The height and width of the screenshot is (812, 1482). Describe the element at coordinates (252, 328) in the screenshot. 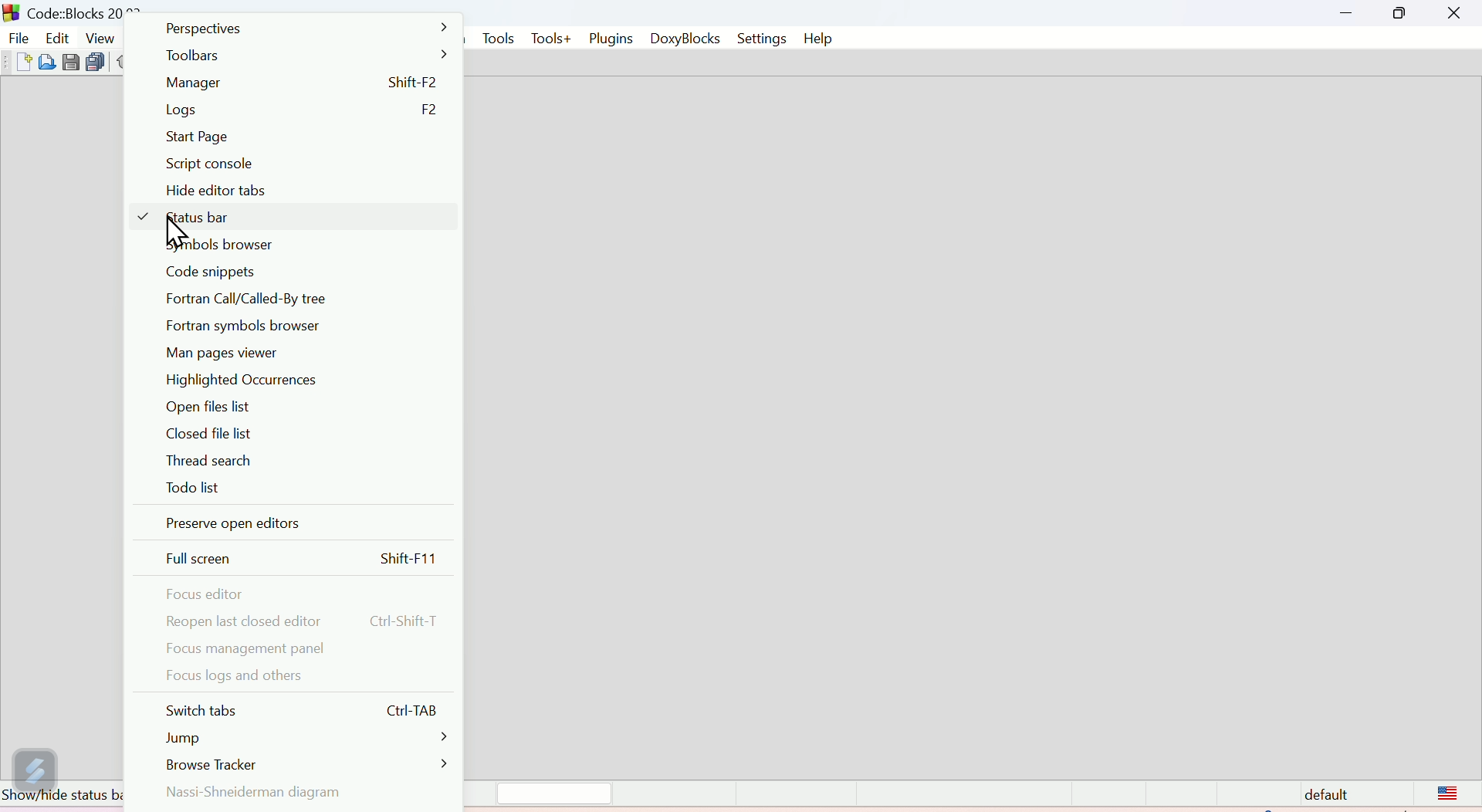

I see `Fortran symols browser` at that location.